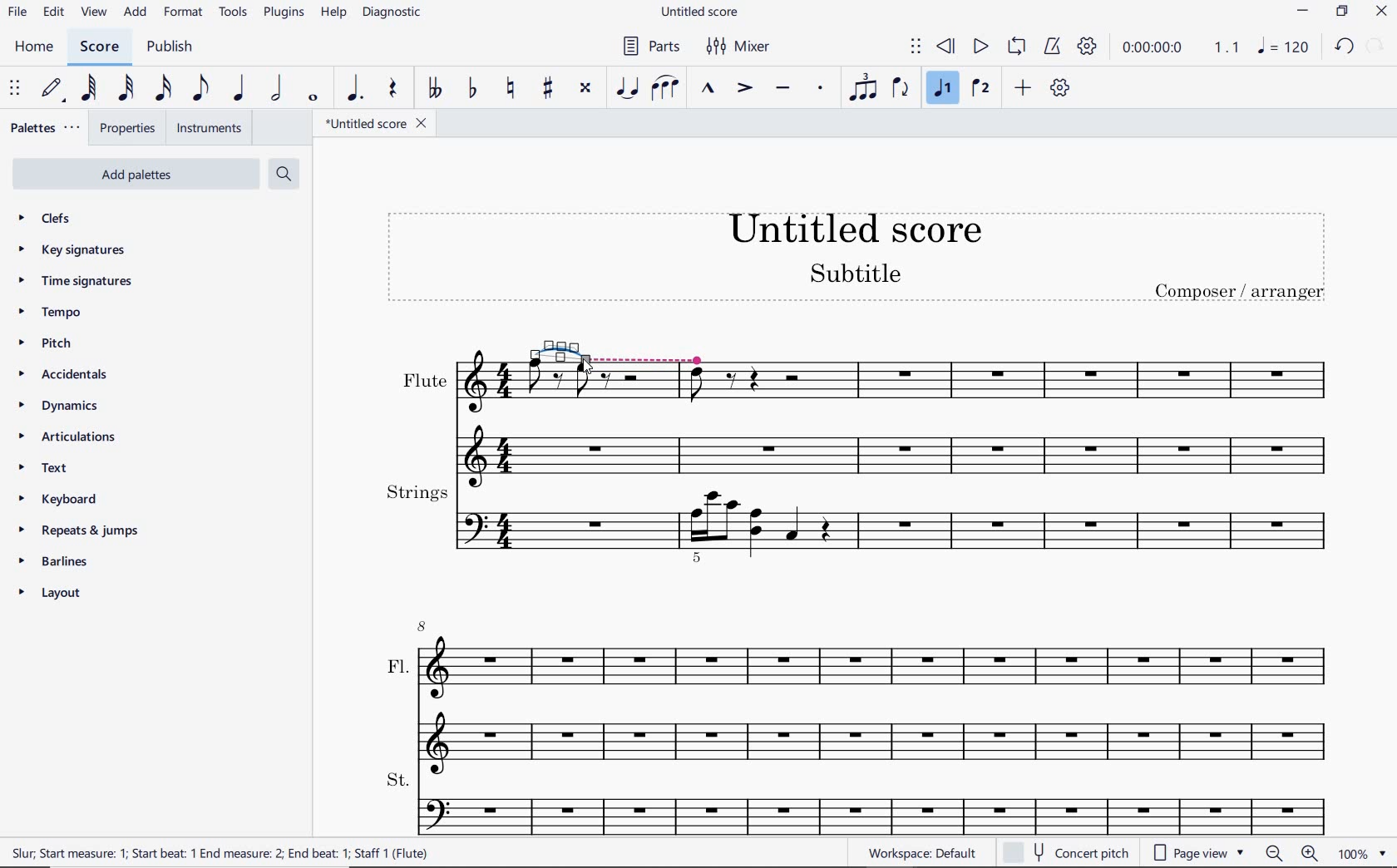 Image resolution: width=1397 pixels, height=868 pixels. What do you see at coordinates (163, 89) in the screenshot?
I see `16TH NOTE` at bounding box center [163, 89].